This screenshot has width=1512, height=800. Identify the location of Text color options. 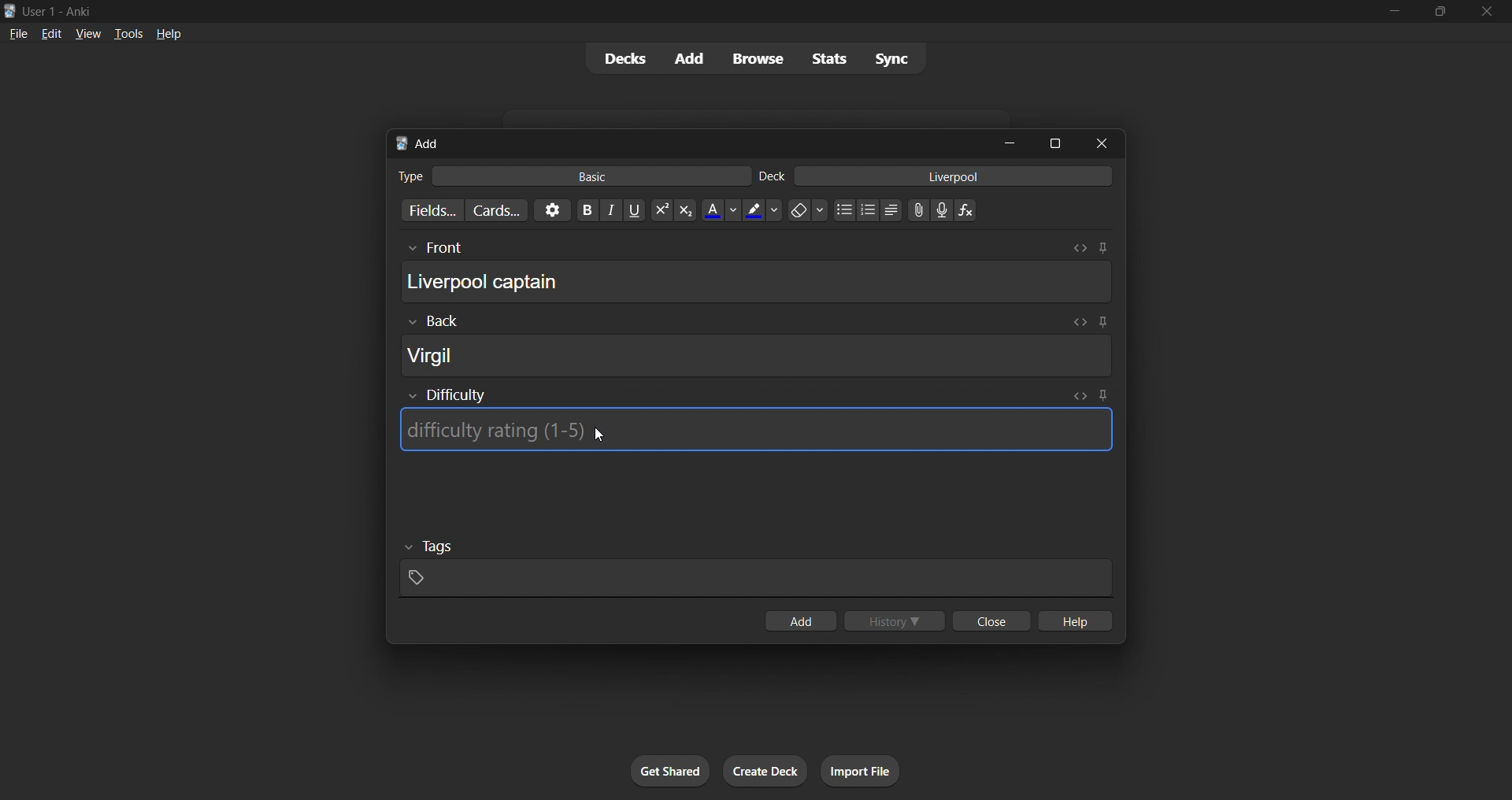
(720, 210).